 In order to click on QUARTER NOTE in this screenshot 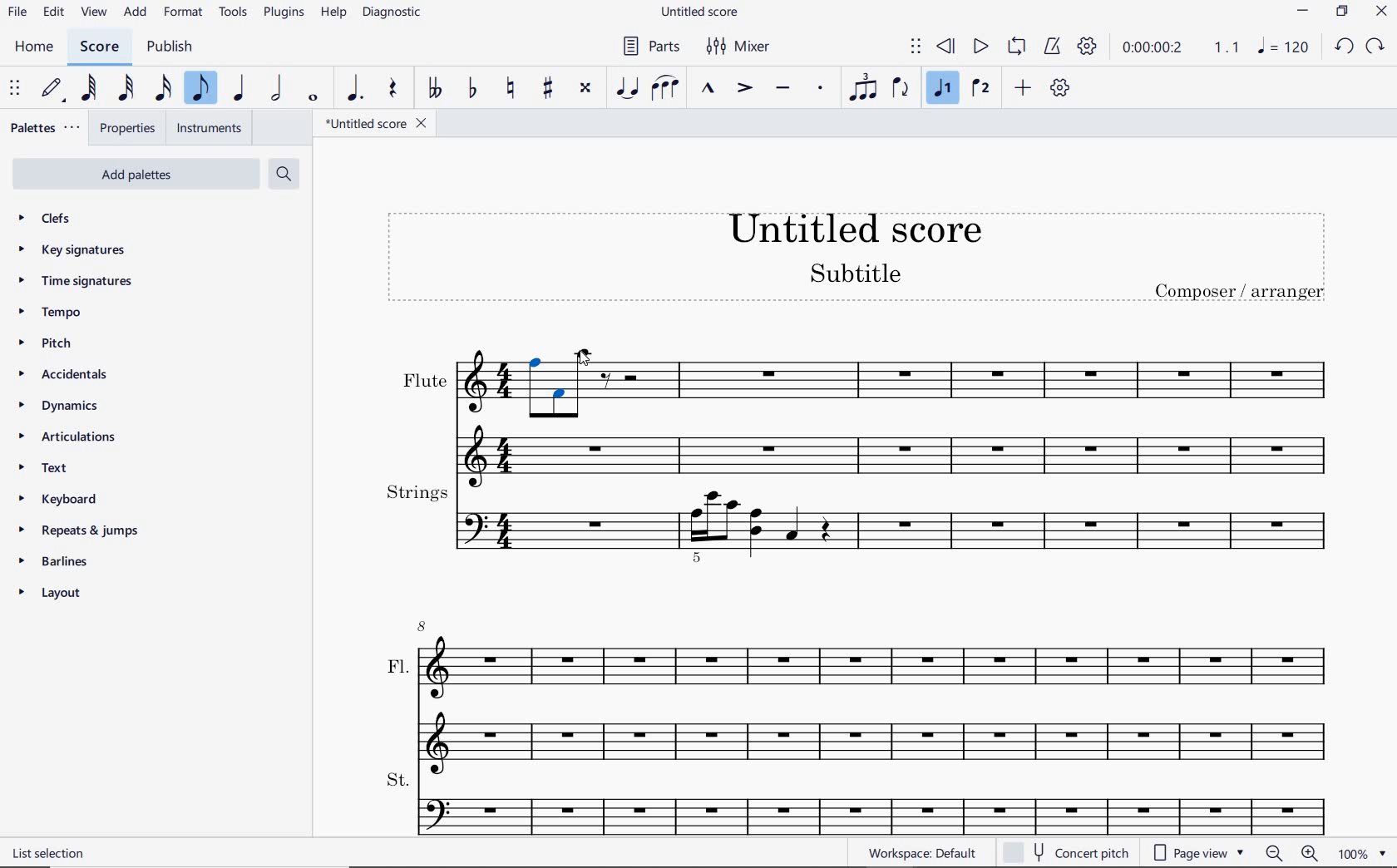, I will do `click(239, 91)`.